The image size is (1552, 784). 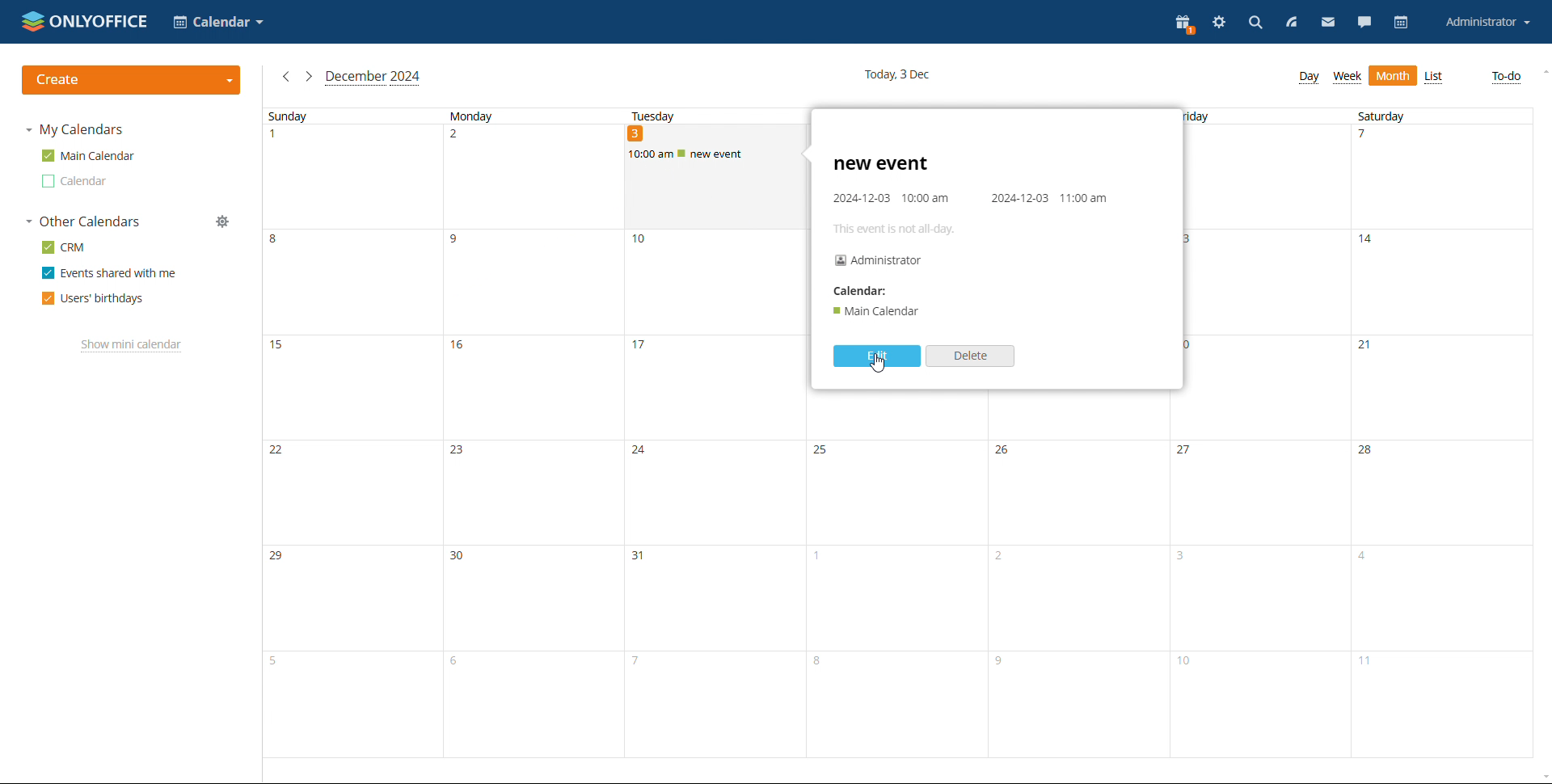 What do you see at coordinates (1255, 23) in the screenshot?
I see `search` at bounding box center [1255, 23].